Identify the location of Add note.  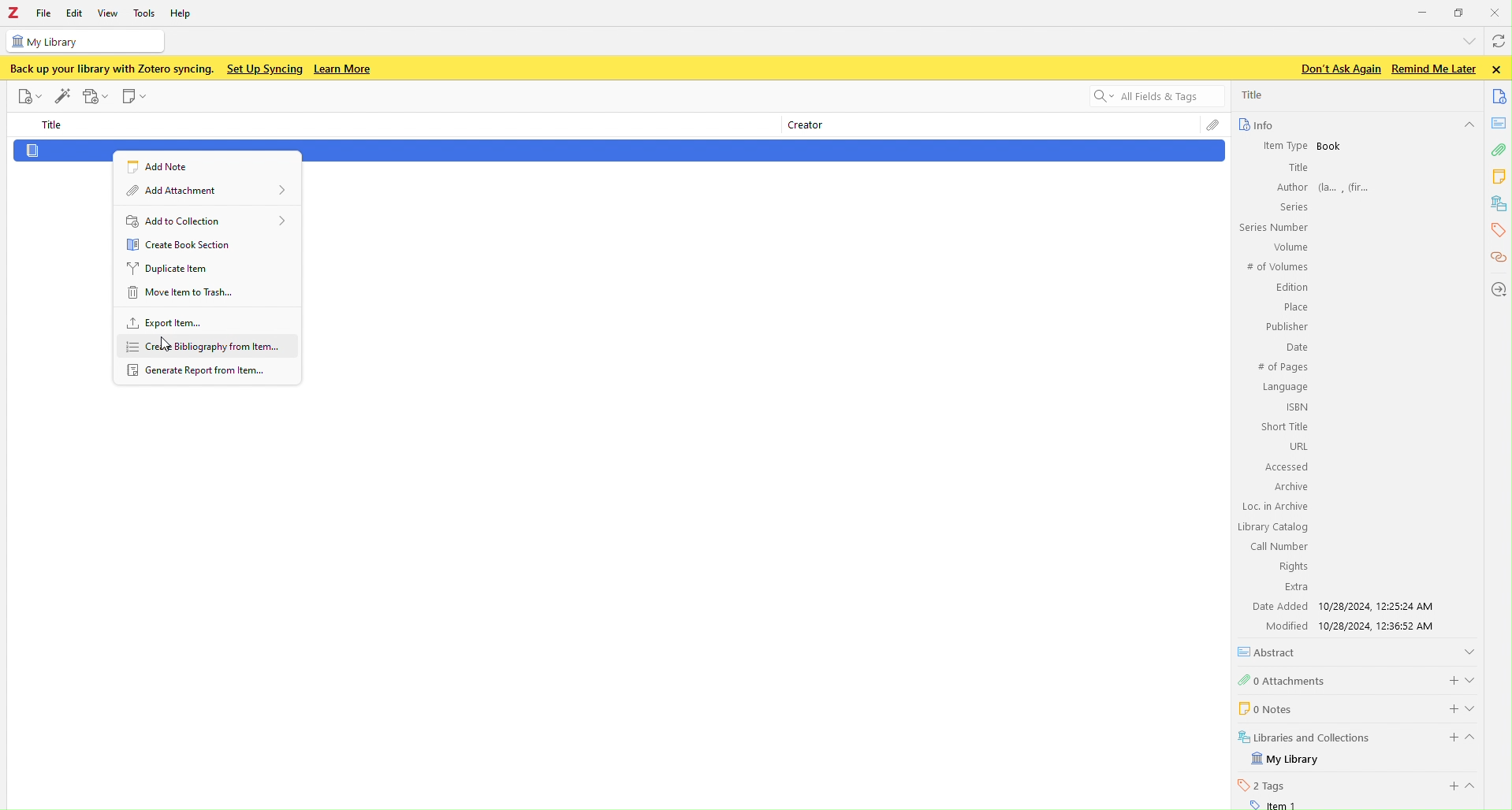
(161, 165).